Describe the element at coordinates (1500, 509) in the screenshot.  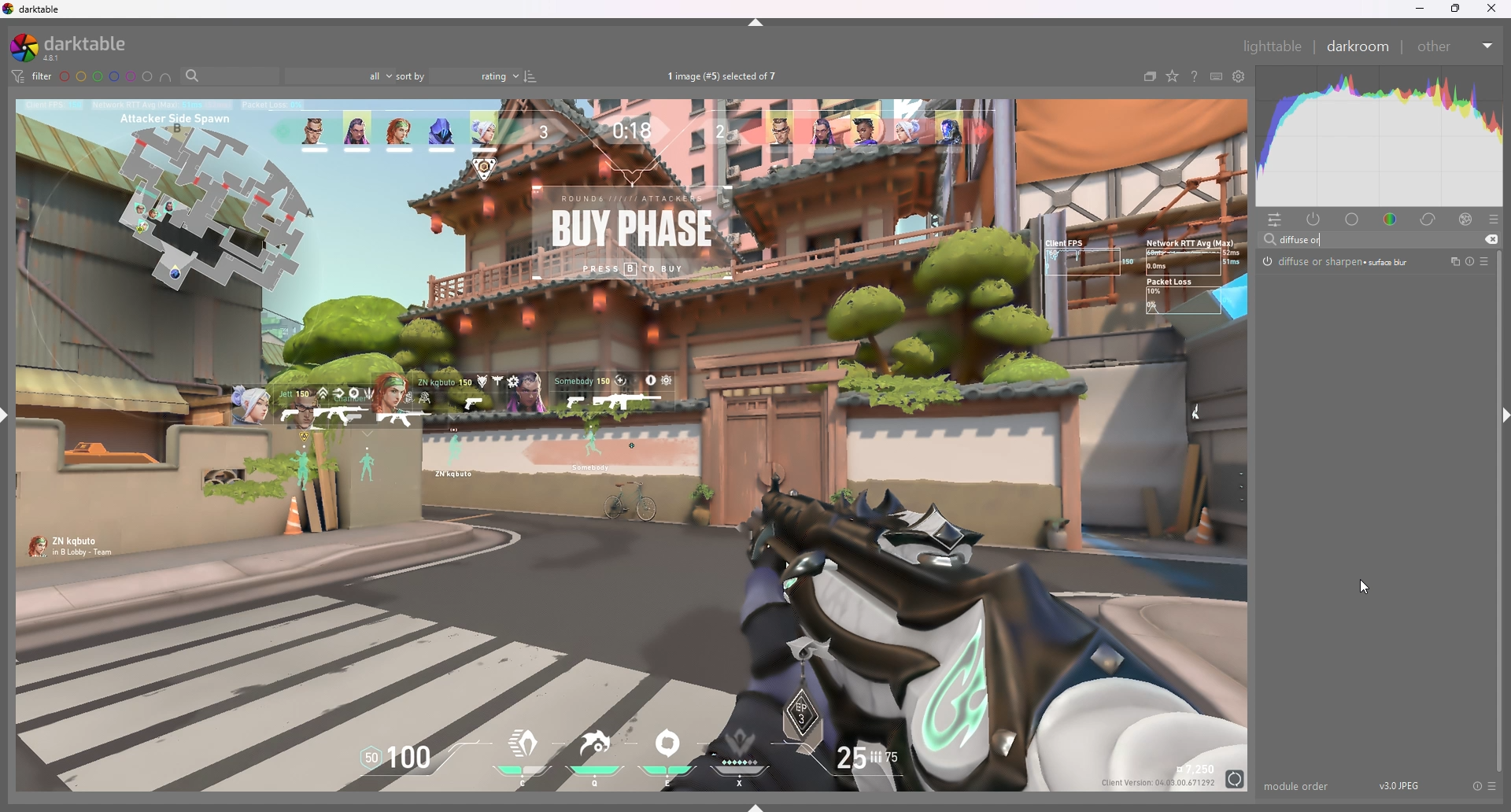
I see `scroll bar` at that location.